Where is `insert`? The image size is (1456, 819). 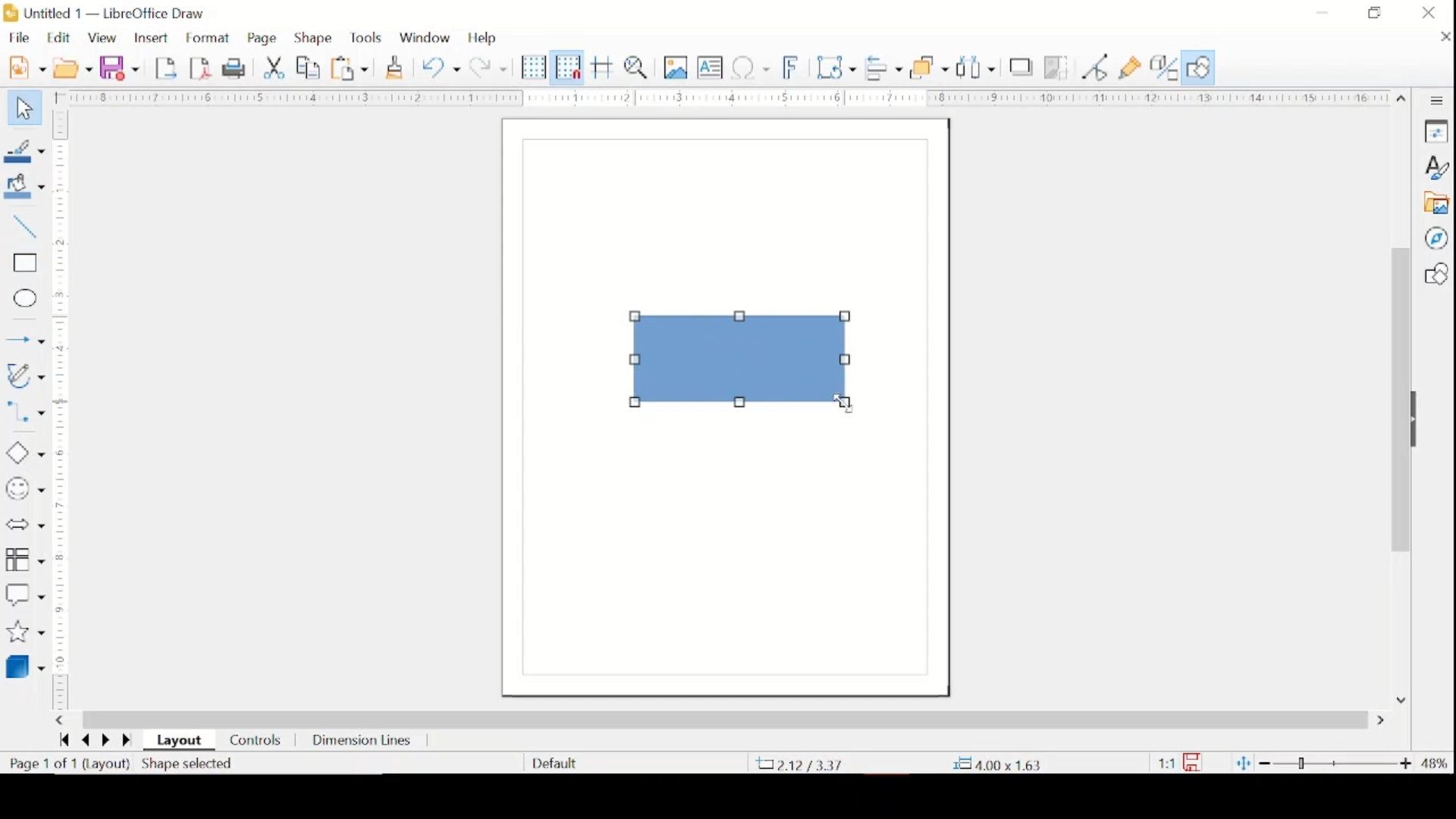 insert is located at coordinates (150, 39).